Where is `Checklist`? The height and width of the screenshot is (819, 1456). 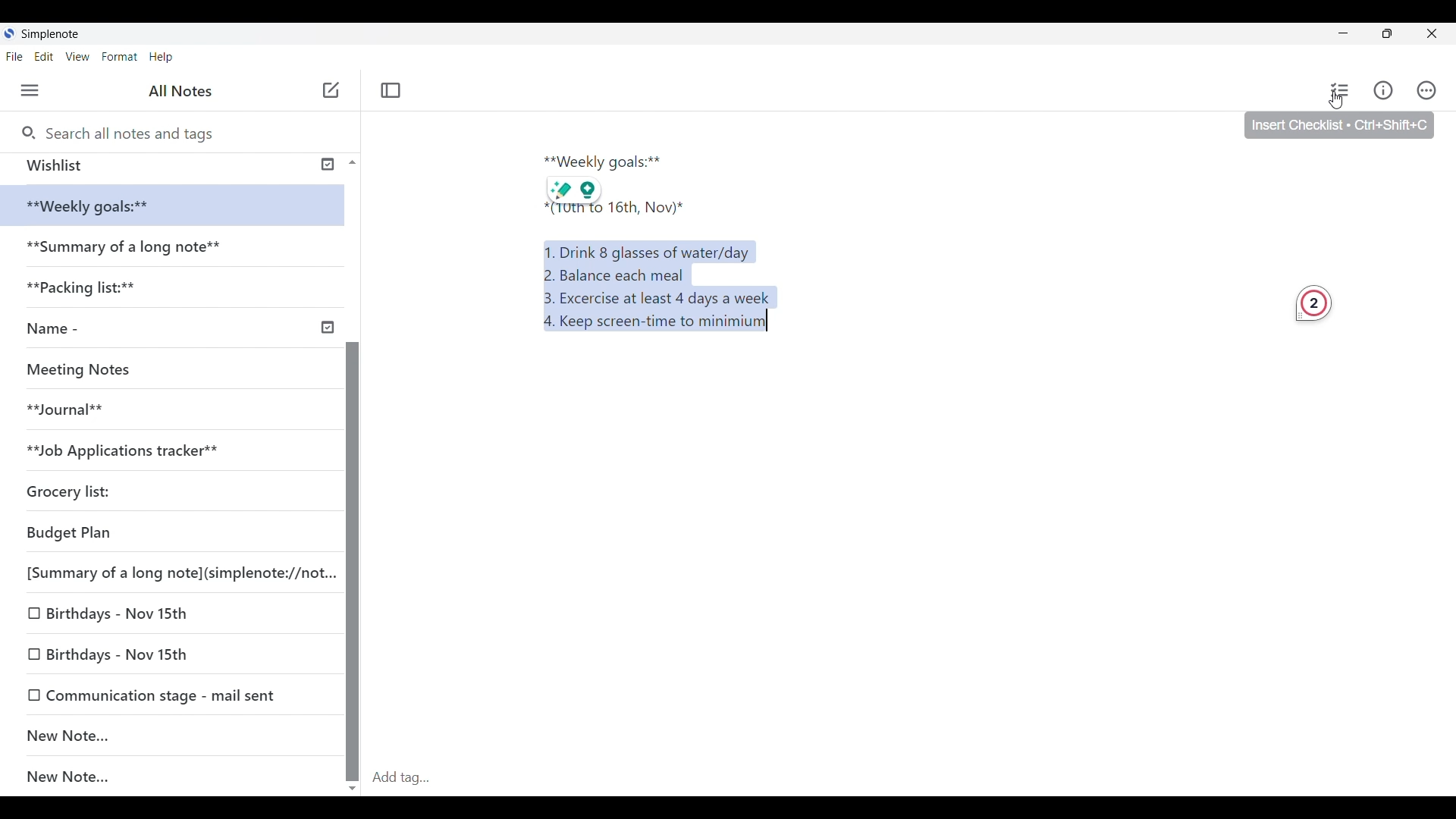 Checklist is located at coordinates (1337, 90).